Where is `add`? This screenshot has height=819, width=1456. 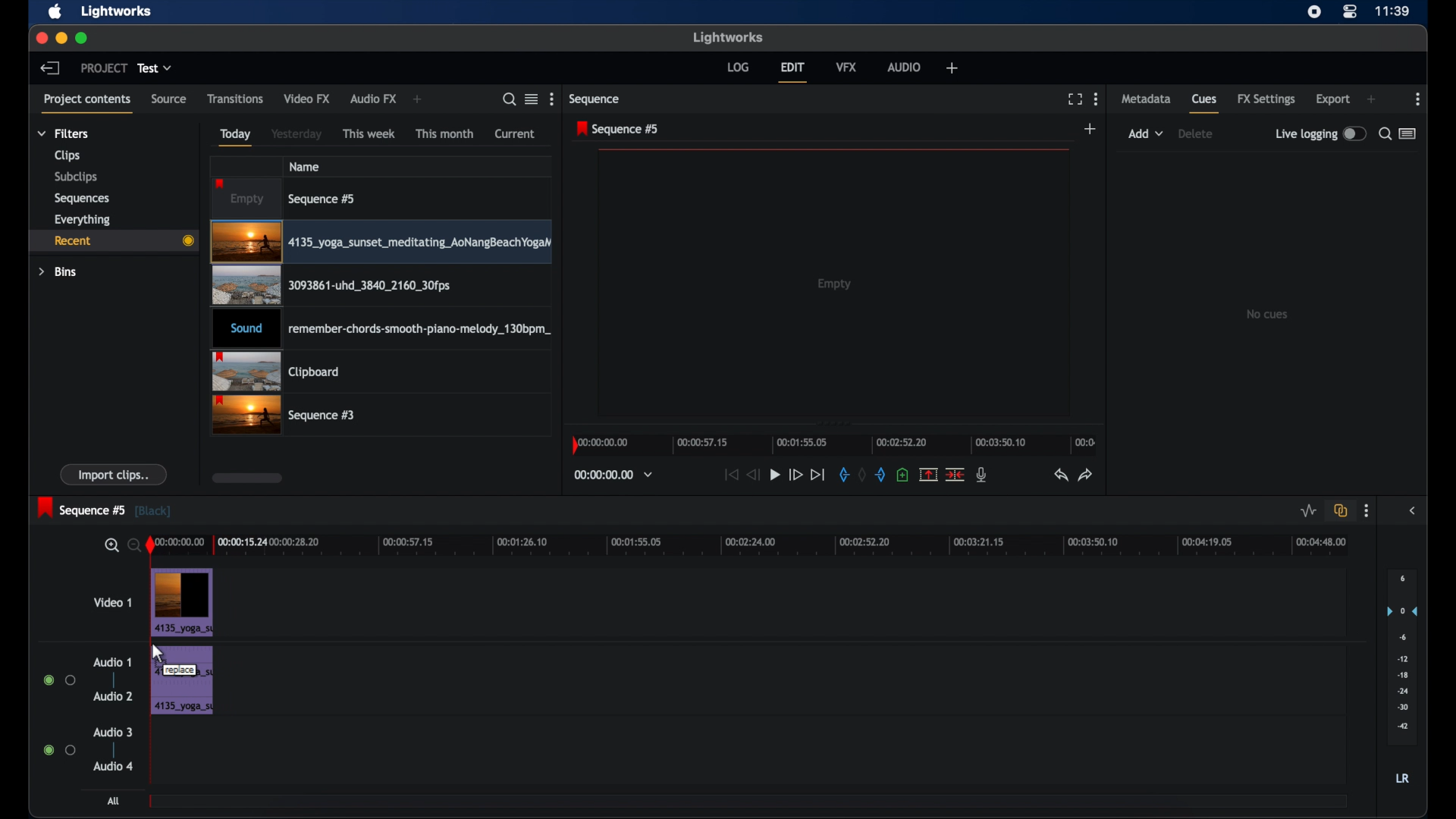
add is located at coordinates (1146, 133).